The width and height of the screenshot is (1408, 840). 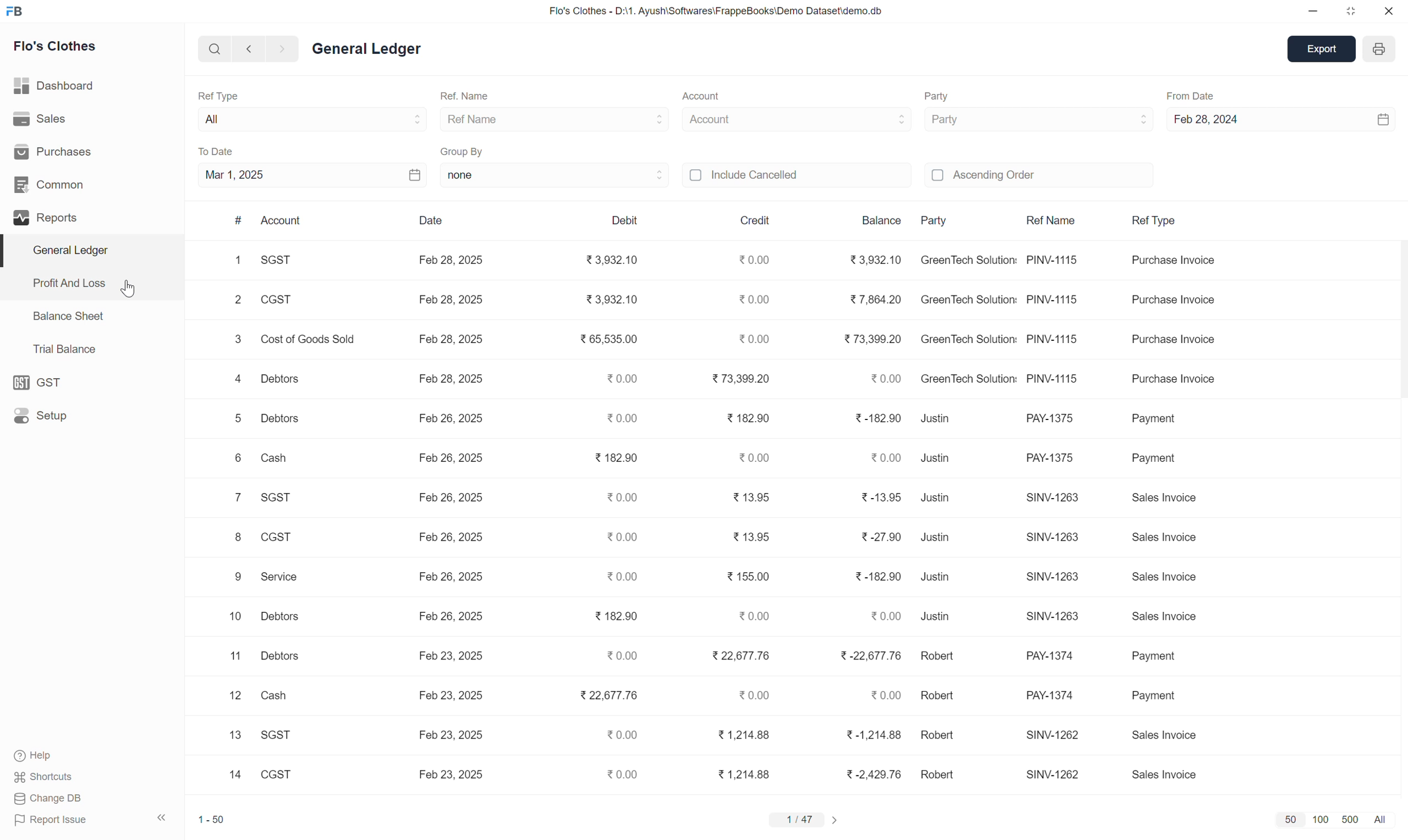 What do you see at coordinates (752, 298) in the screenshot?
I see `₹0.00` at bounding box center [752, 298].